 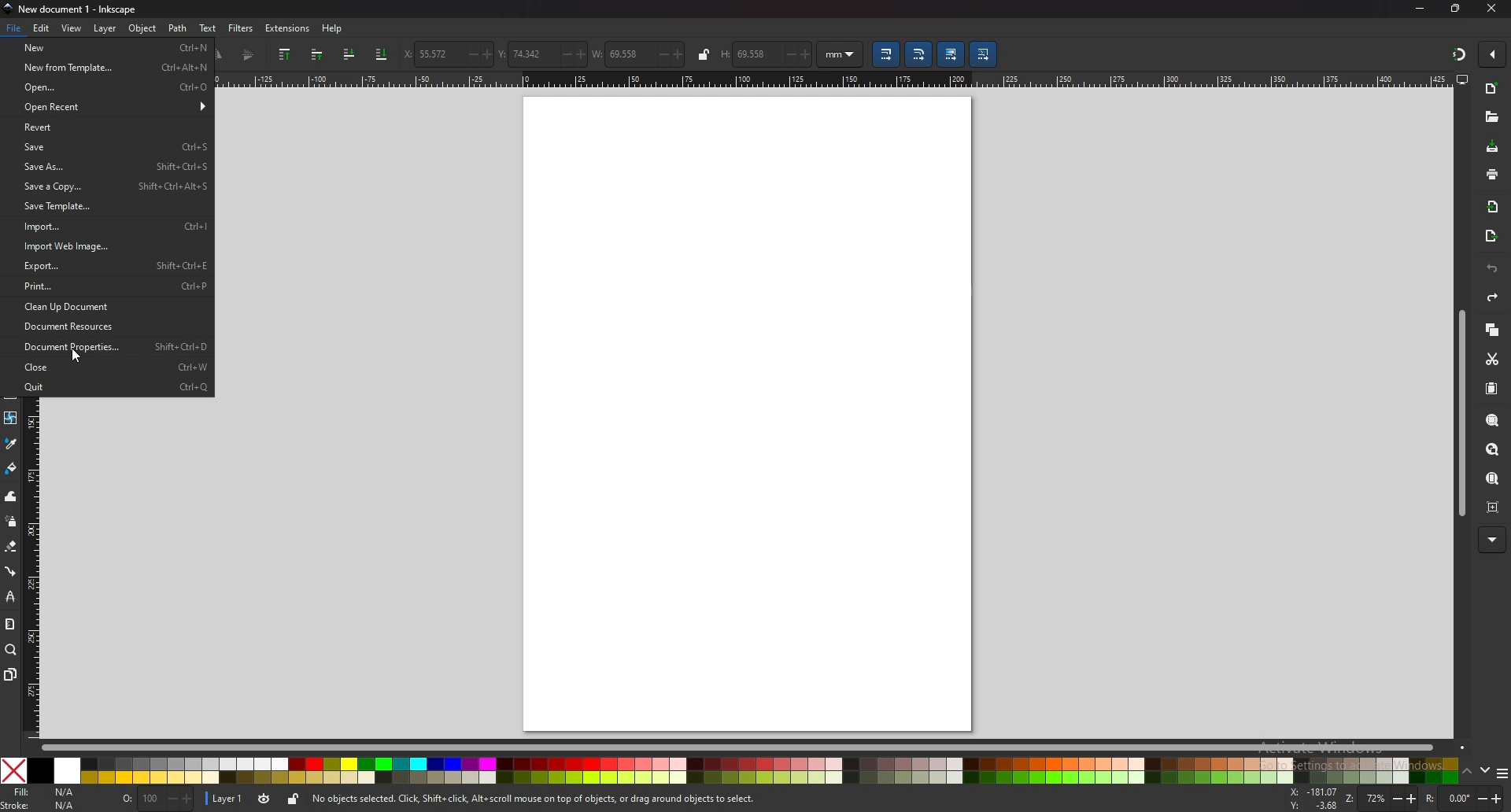 What do you see at coordinates (11, 416) in the screenshot?
I see `mesh` at bounding box center [11, 416].